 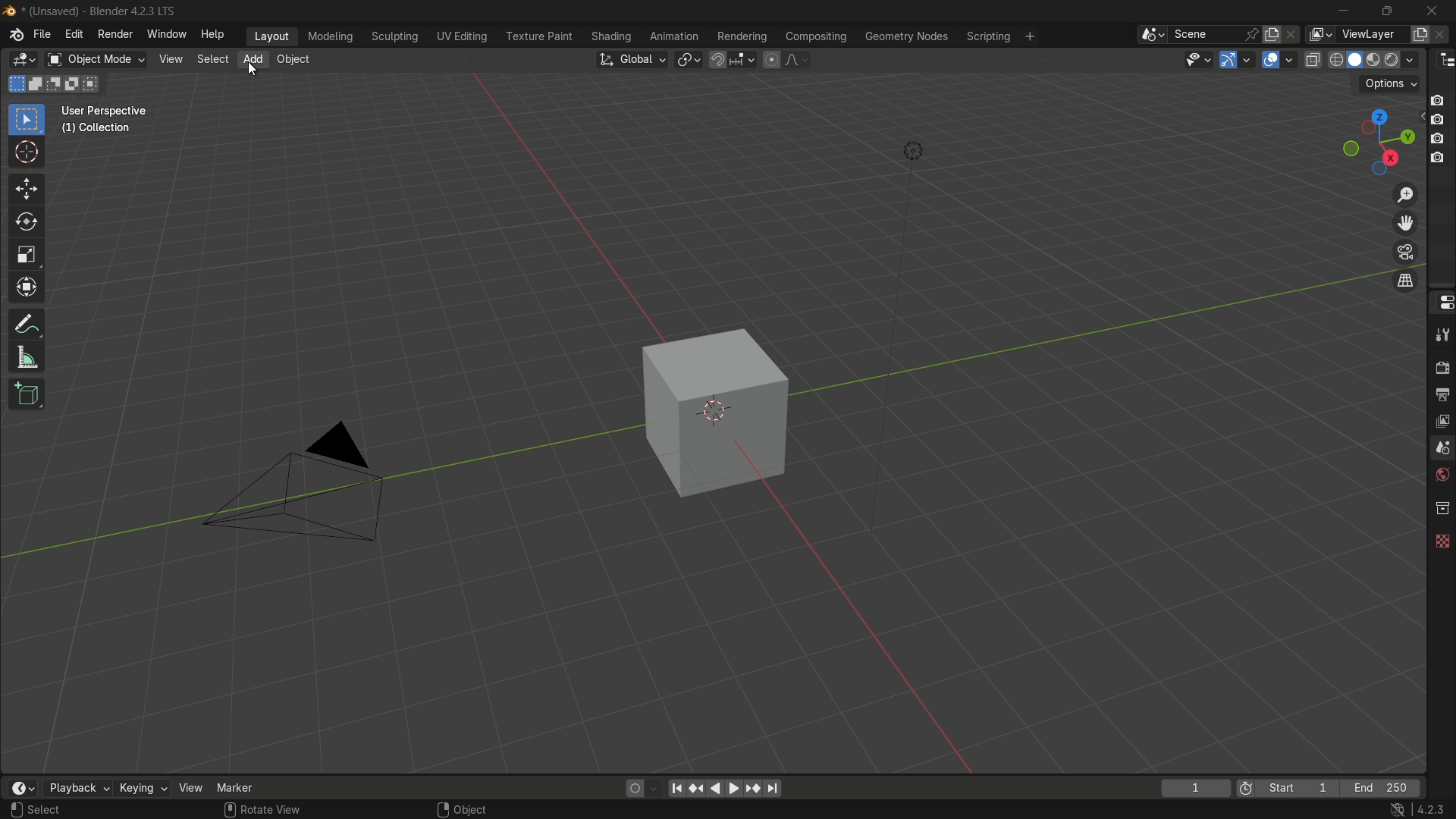 I want to click on subtract existing selection, so click(x=56, y=85).